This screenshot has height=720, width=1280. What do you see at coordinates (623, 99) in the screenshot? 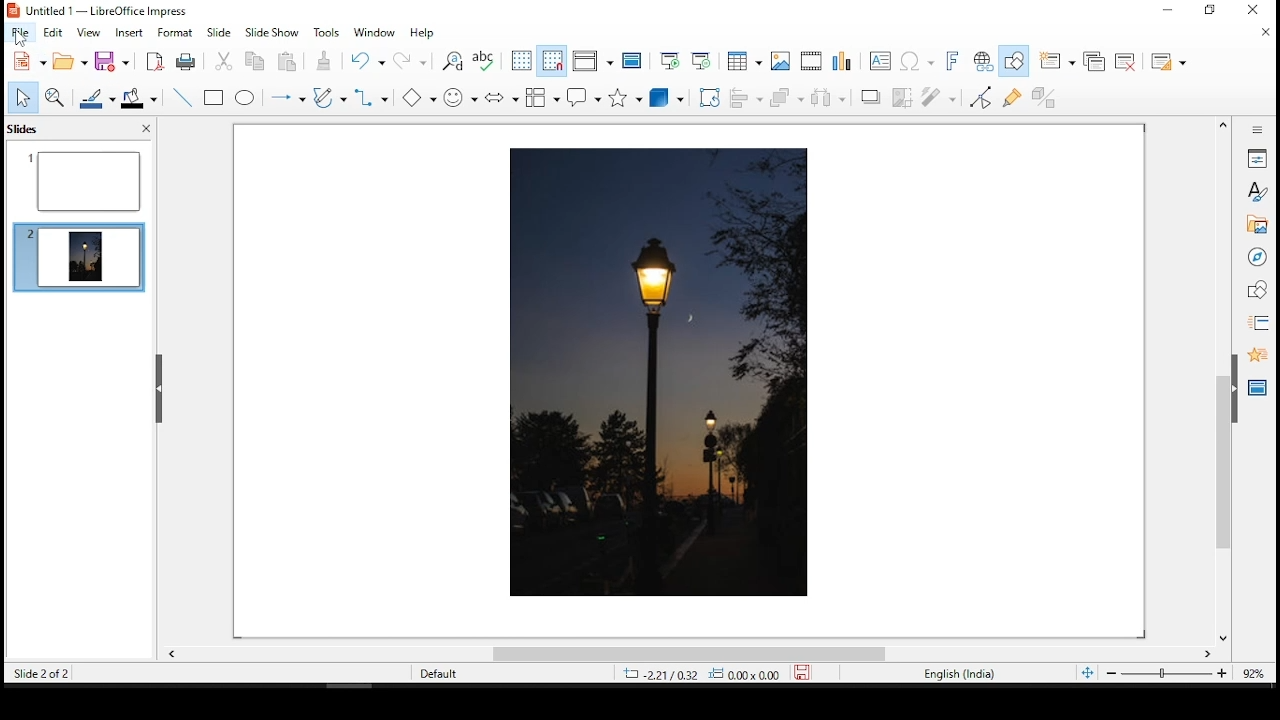
I see `stars and banners` at bounding box center [623, 99].